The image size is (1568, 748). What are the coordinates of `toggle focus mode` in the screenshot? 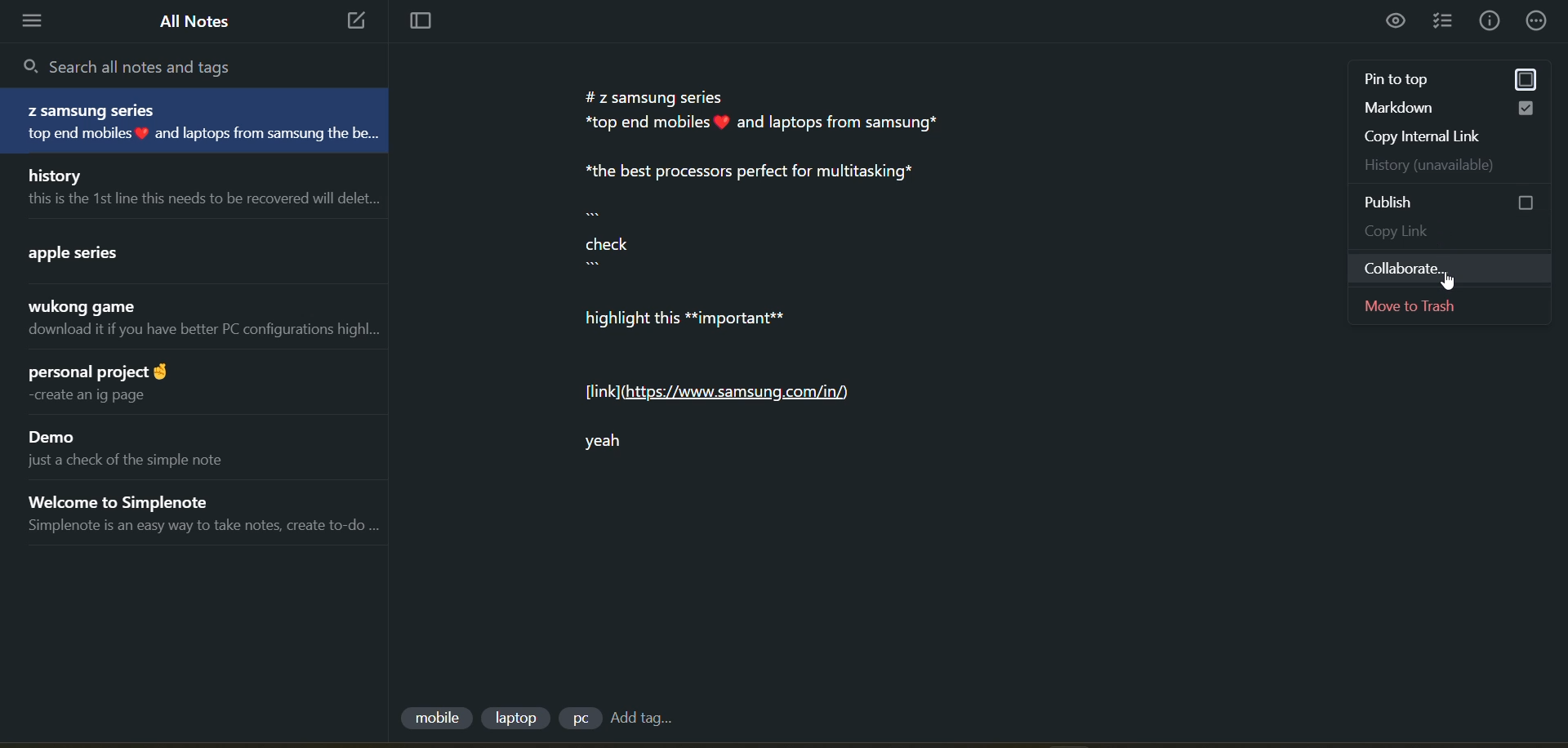 It's located at (414, 23).